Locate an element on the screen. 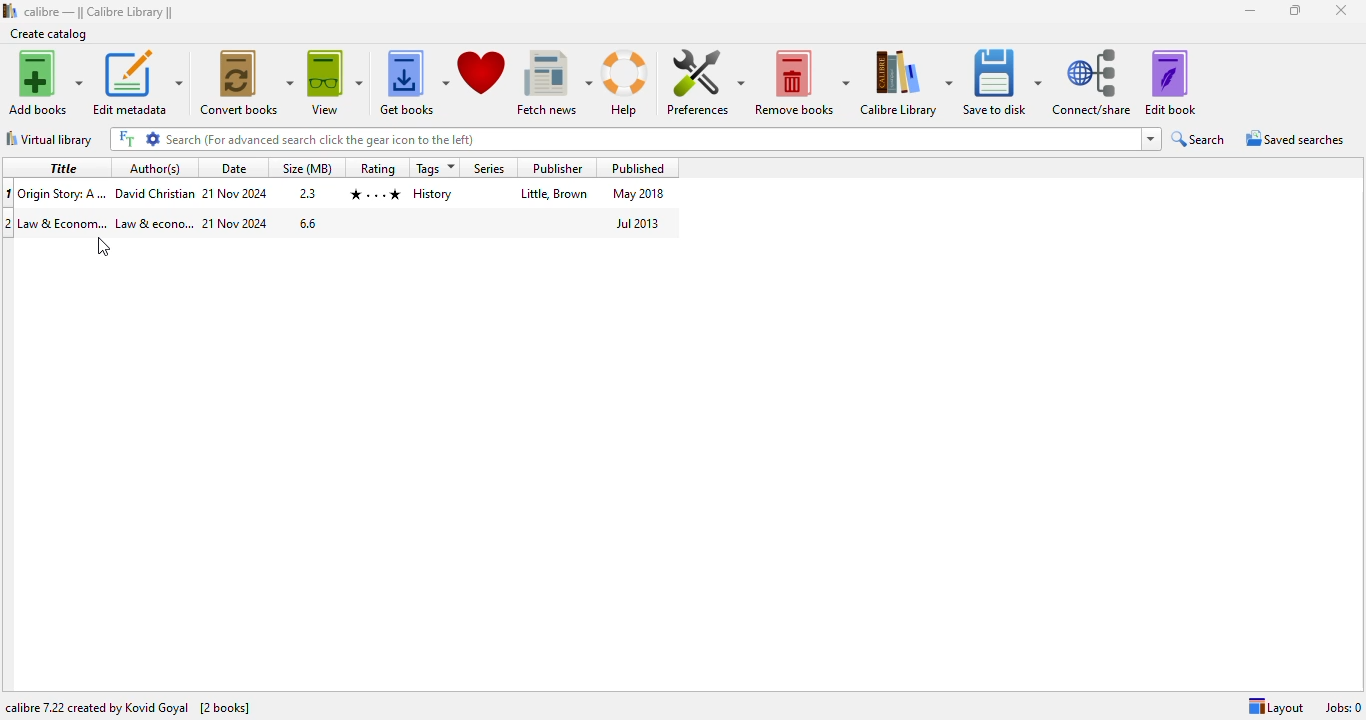 The image size is (1366, 720). create catalog is located at coordinates (49, 33).